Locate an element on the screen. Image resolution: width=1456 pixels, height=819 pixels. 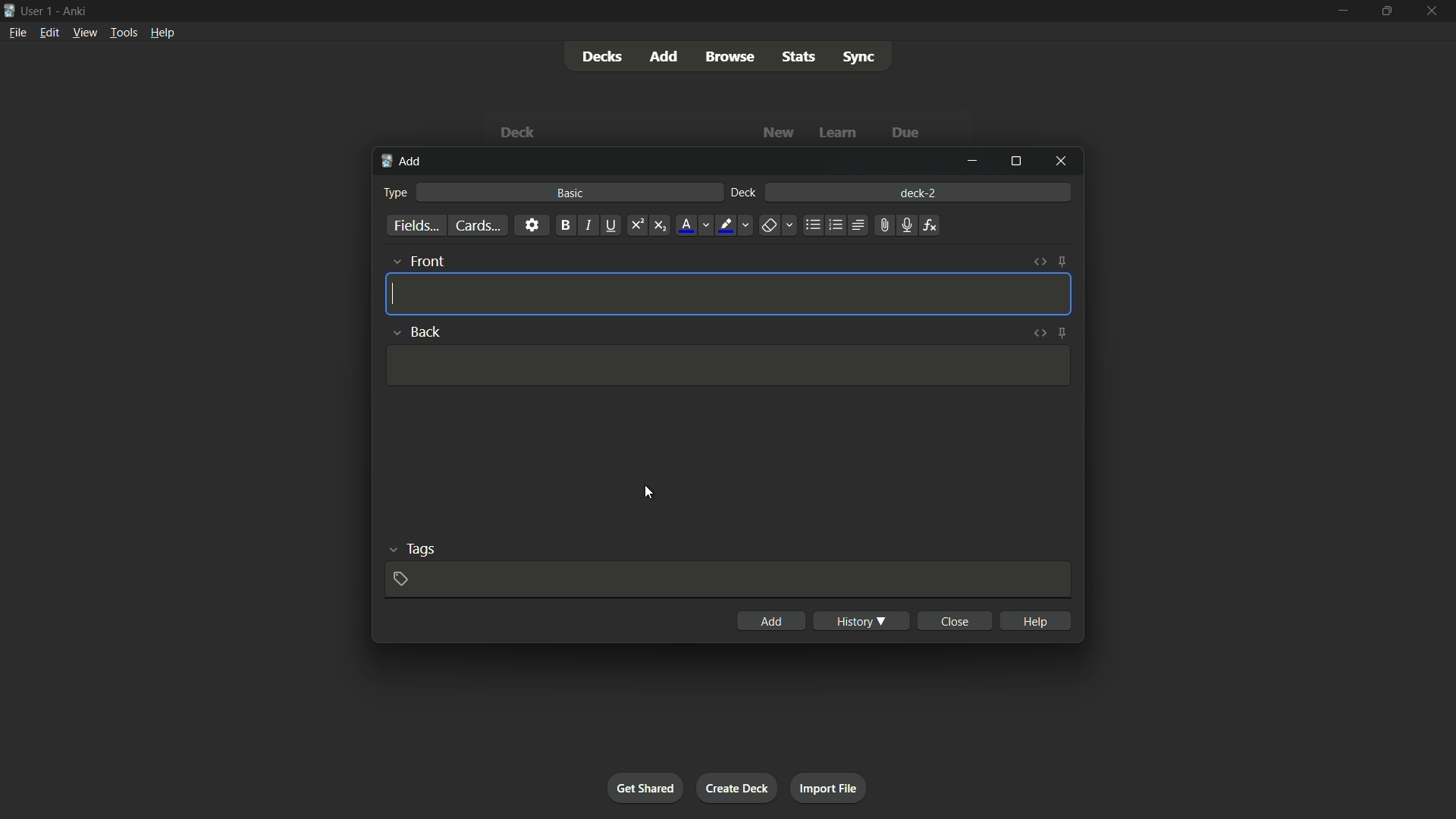
close app is located at coordinates (1432, 11).